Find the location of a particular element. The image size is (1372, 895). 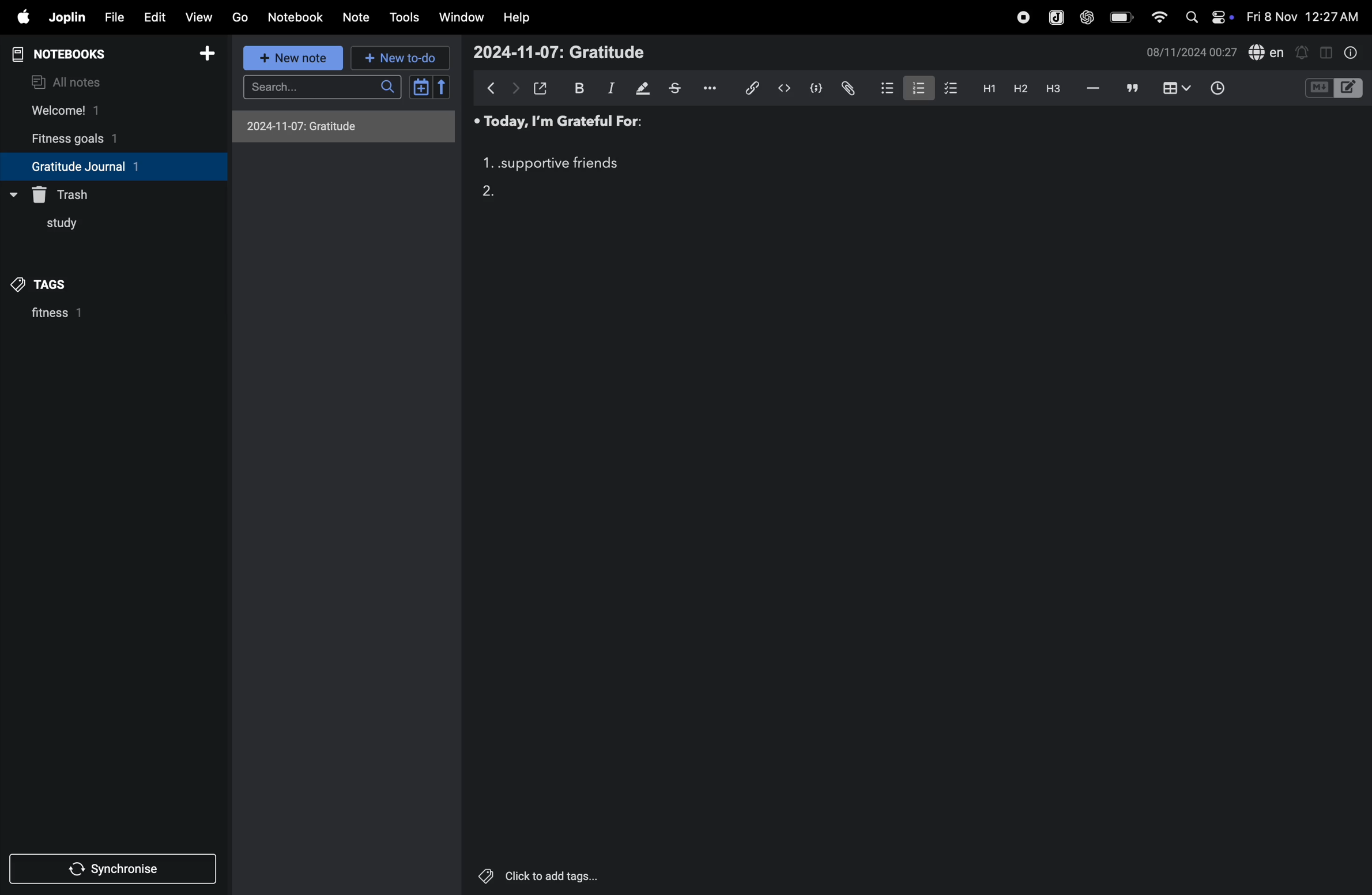

open file is located at coordinates (541, 87).